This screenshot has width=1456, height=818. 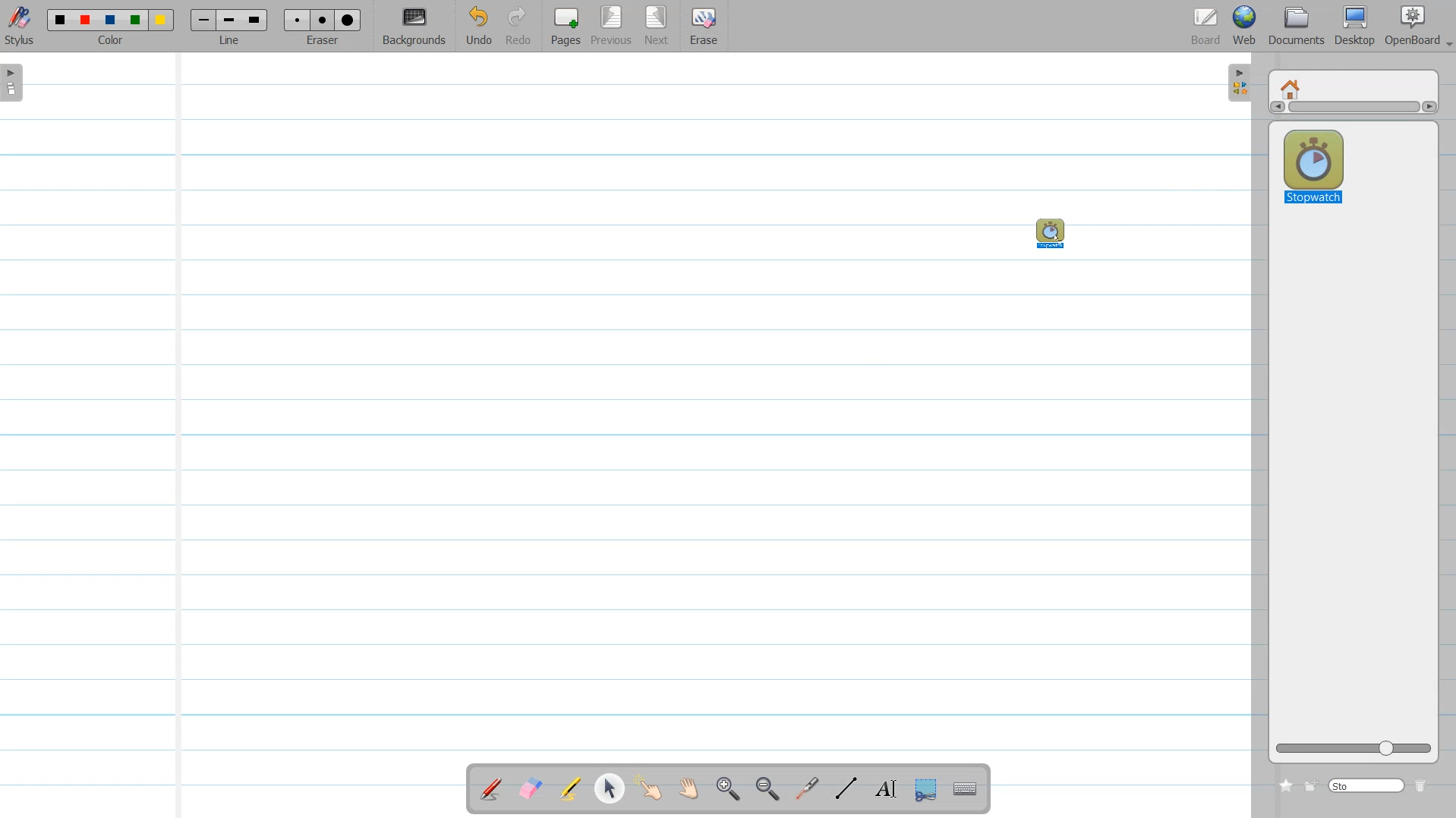 I want to click on Write Text, so click(x=884, y=789).